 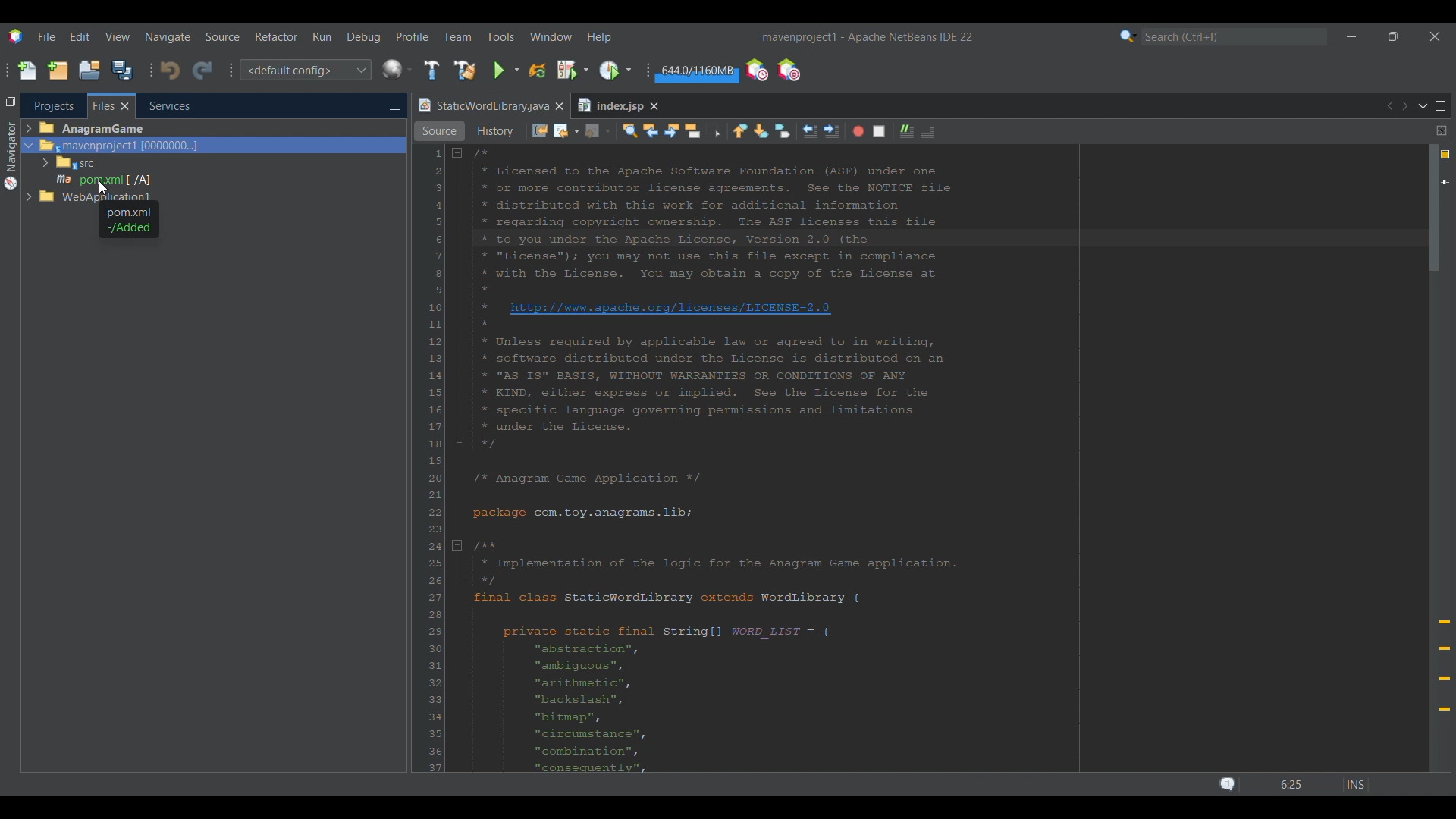 What do you see at coordinates (566, 131) in the screenshot?
I see `Back options` at bounding box center [566, 131].